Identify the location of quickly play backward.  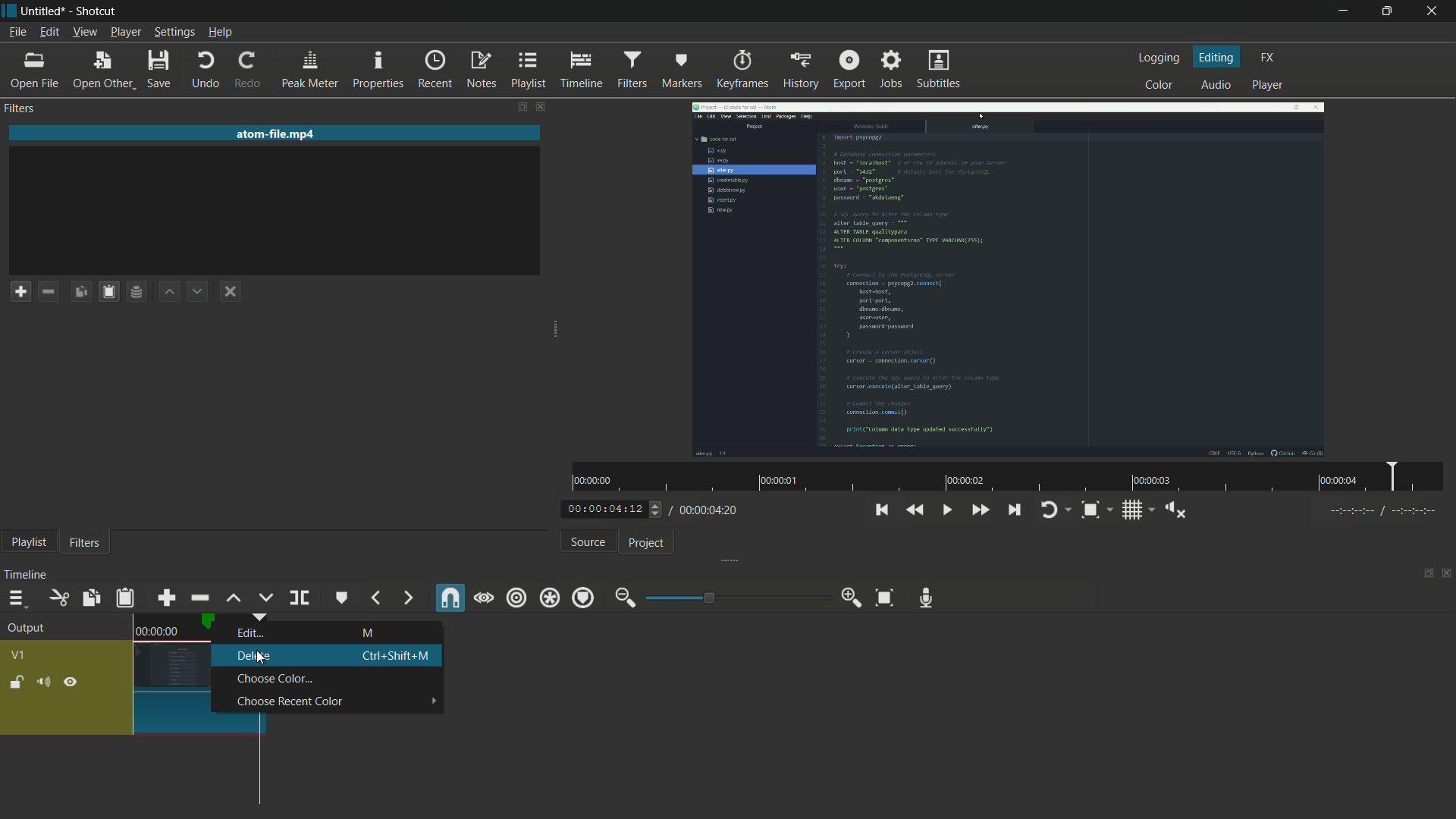
(915, 510).